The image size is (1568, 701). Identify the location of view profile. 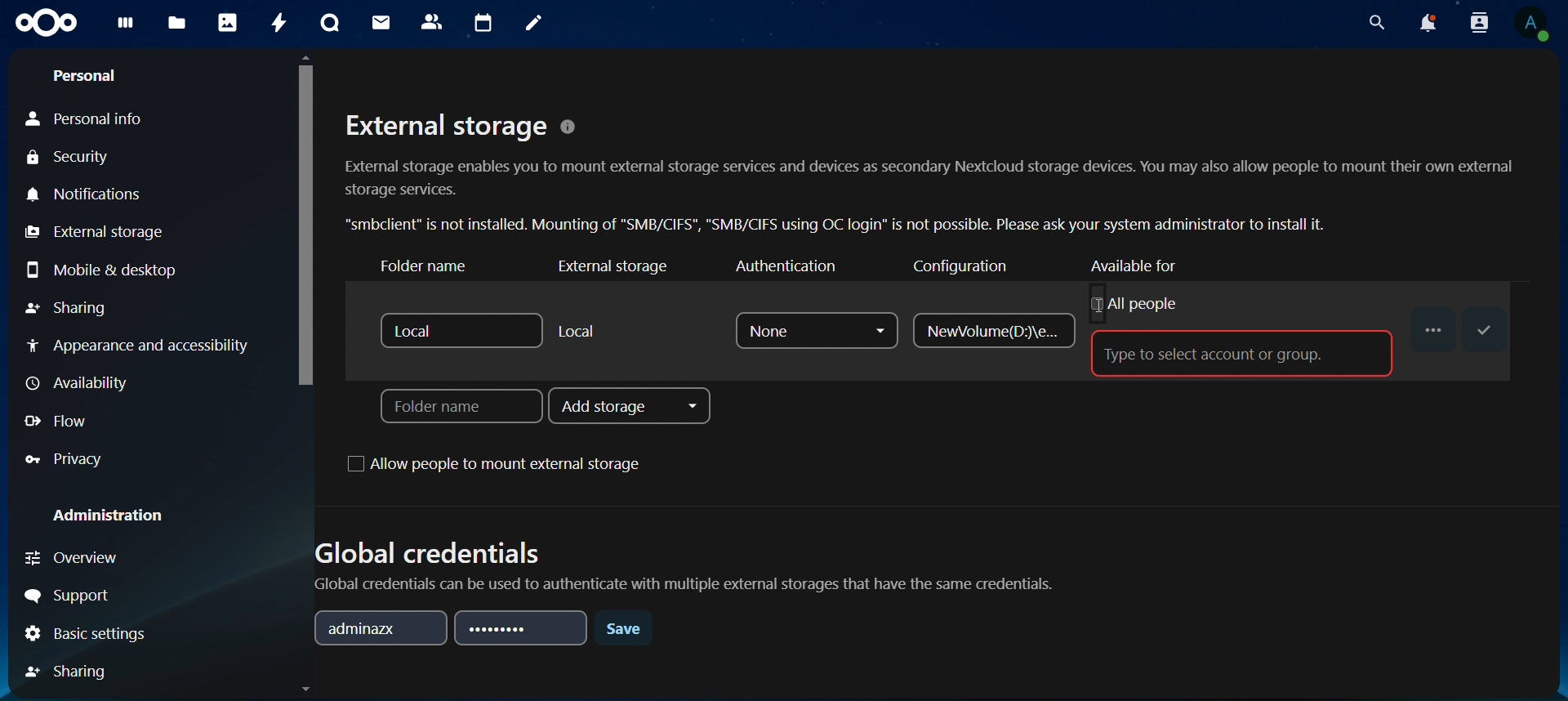
(1530, 25).